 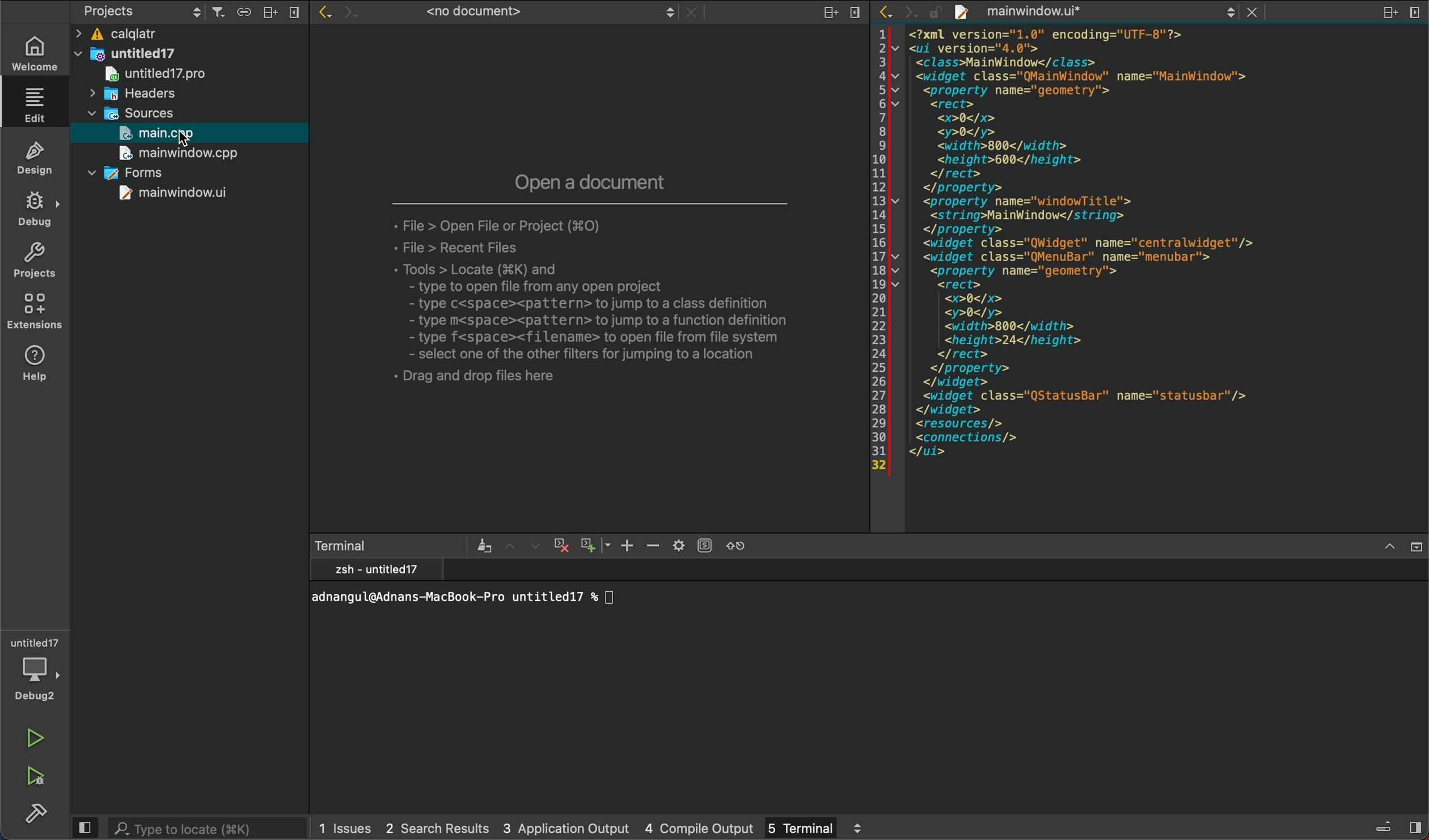 I want to click on maximize, so click(x=1389, y=548).